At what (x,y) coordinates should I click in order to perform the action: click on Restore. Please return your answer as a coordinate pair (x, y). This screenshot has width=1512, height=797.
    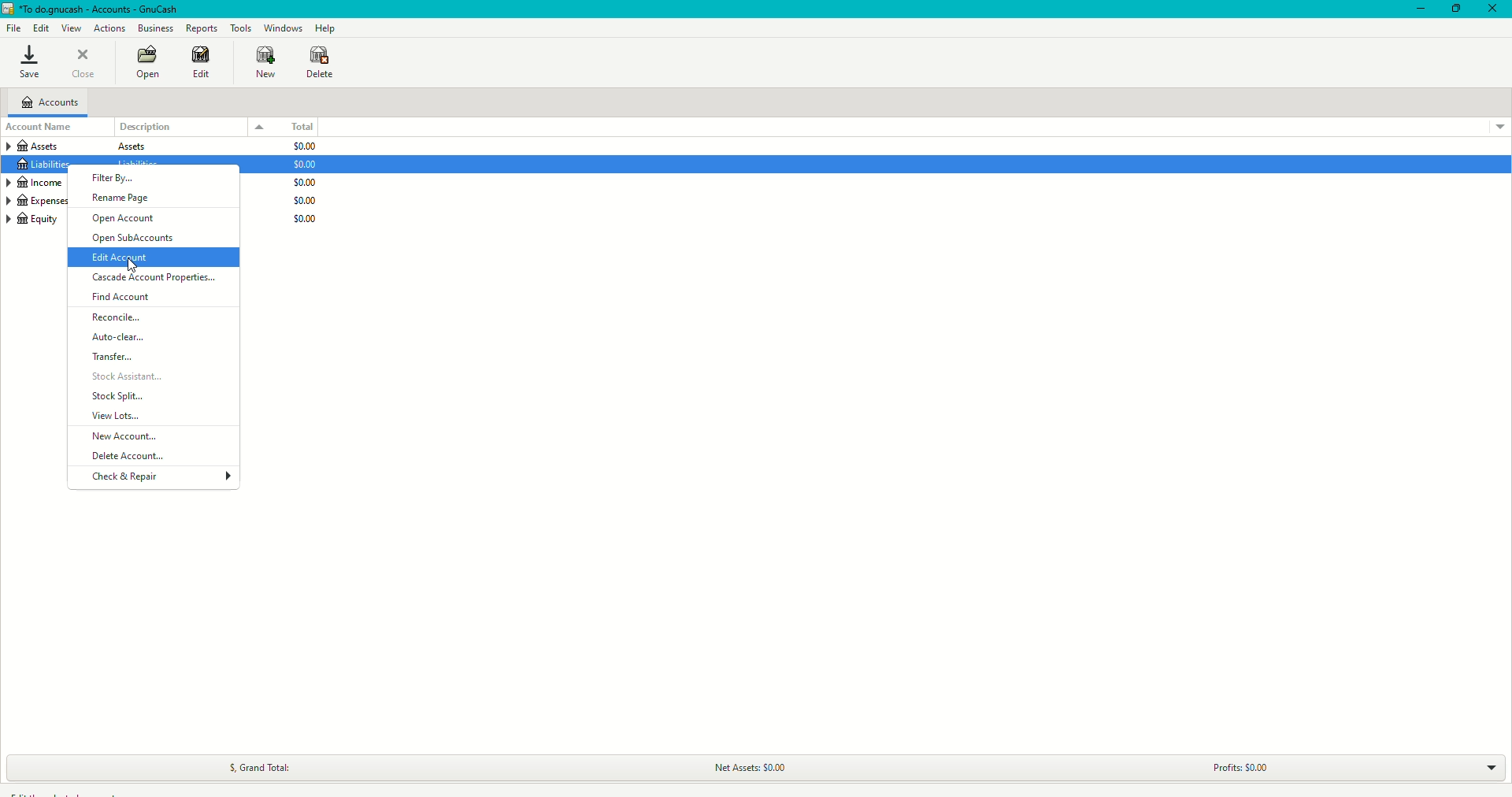
    Looking at the image, I should click on (1452, 9).